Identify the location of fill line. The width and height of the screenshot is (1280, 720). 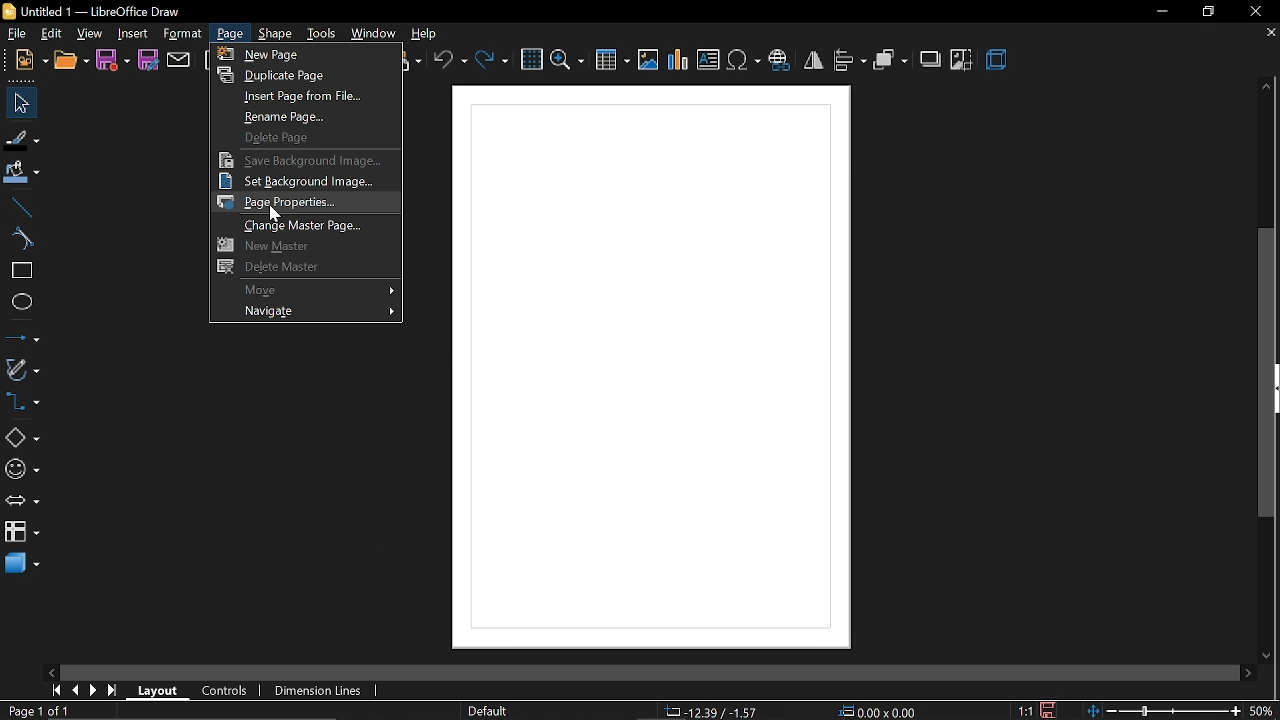
(23, 140).